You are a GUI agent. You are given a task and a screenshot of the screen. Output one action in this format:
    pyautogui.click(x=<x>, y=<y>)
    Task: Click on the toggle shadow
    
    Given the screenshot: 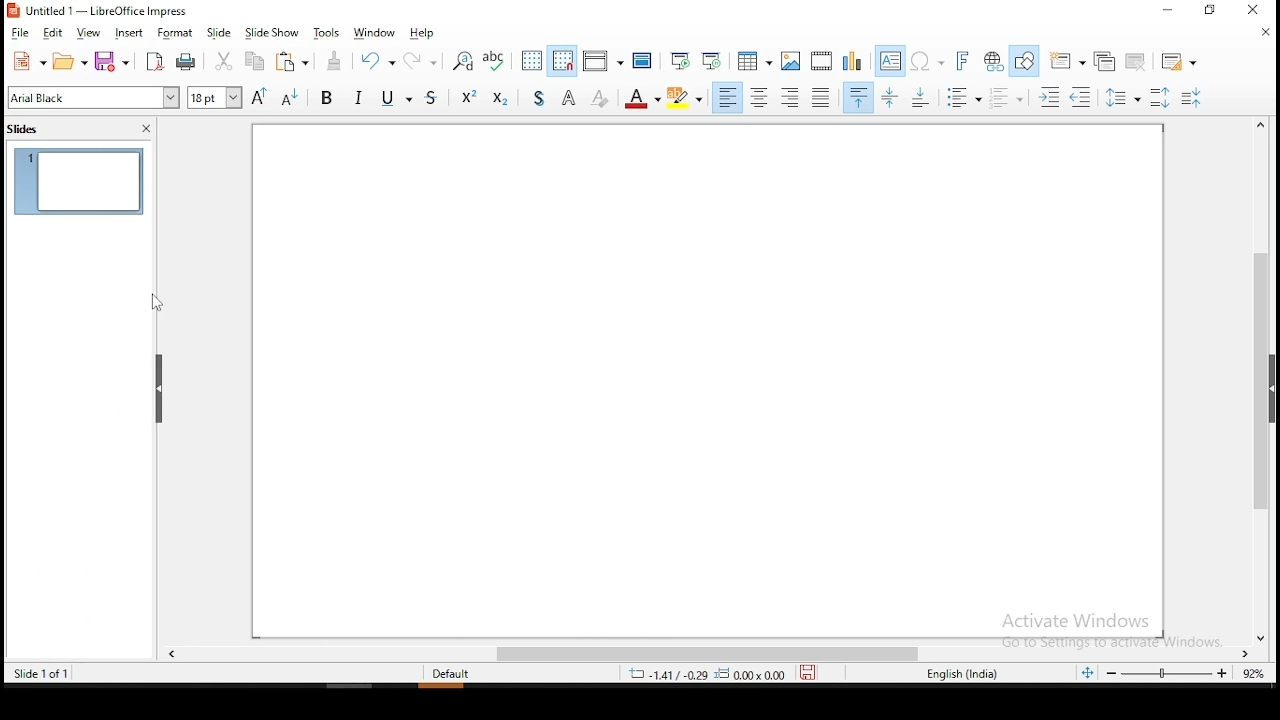 What is the action you would take?
    pyautogui.click(x=535, y=98)
    